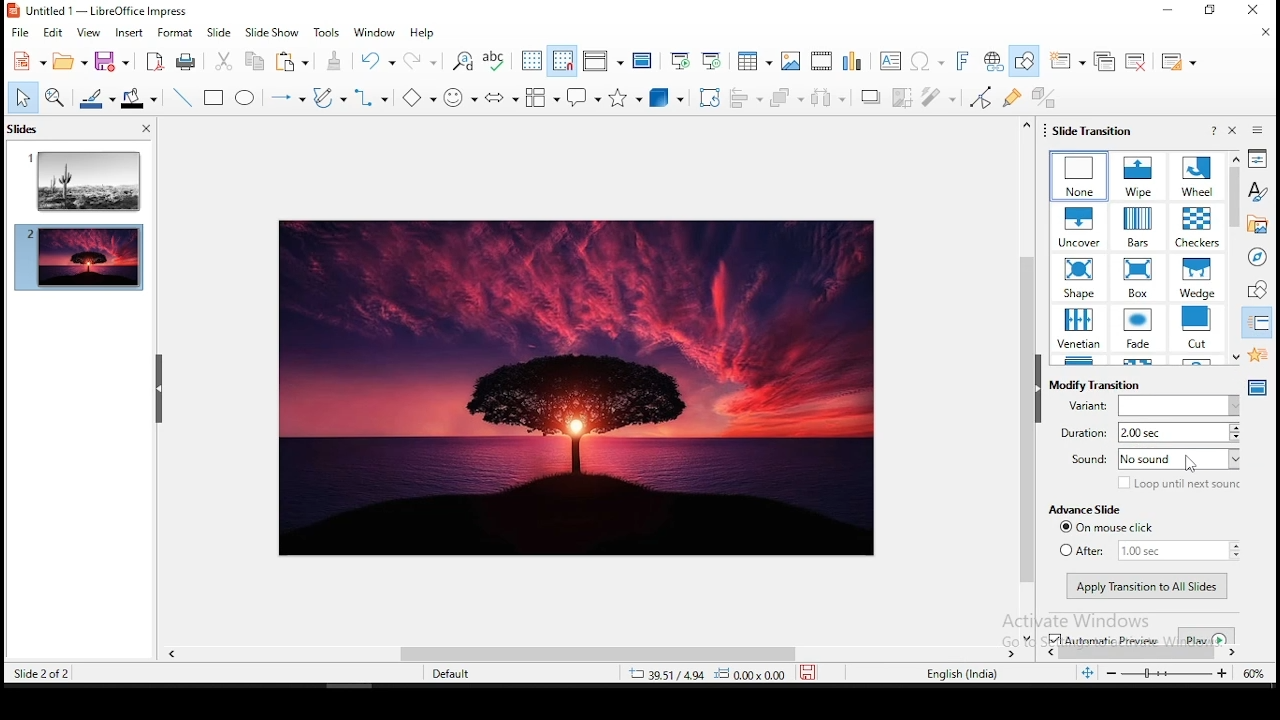 This screenshot has height=720, width=1280. What do you see at coordinates (1011, 96) in the screenshot?
I see `show gluepoint functions` at bounding box center [1011, 96].